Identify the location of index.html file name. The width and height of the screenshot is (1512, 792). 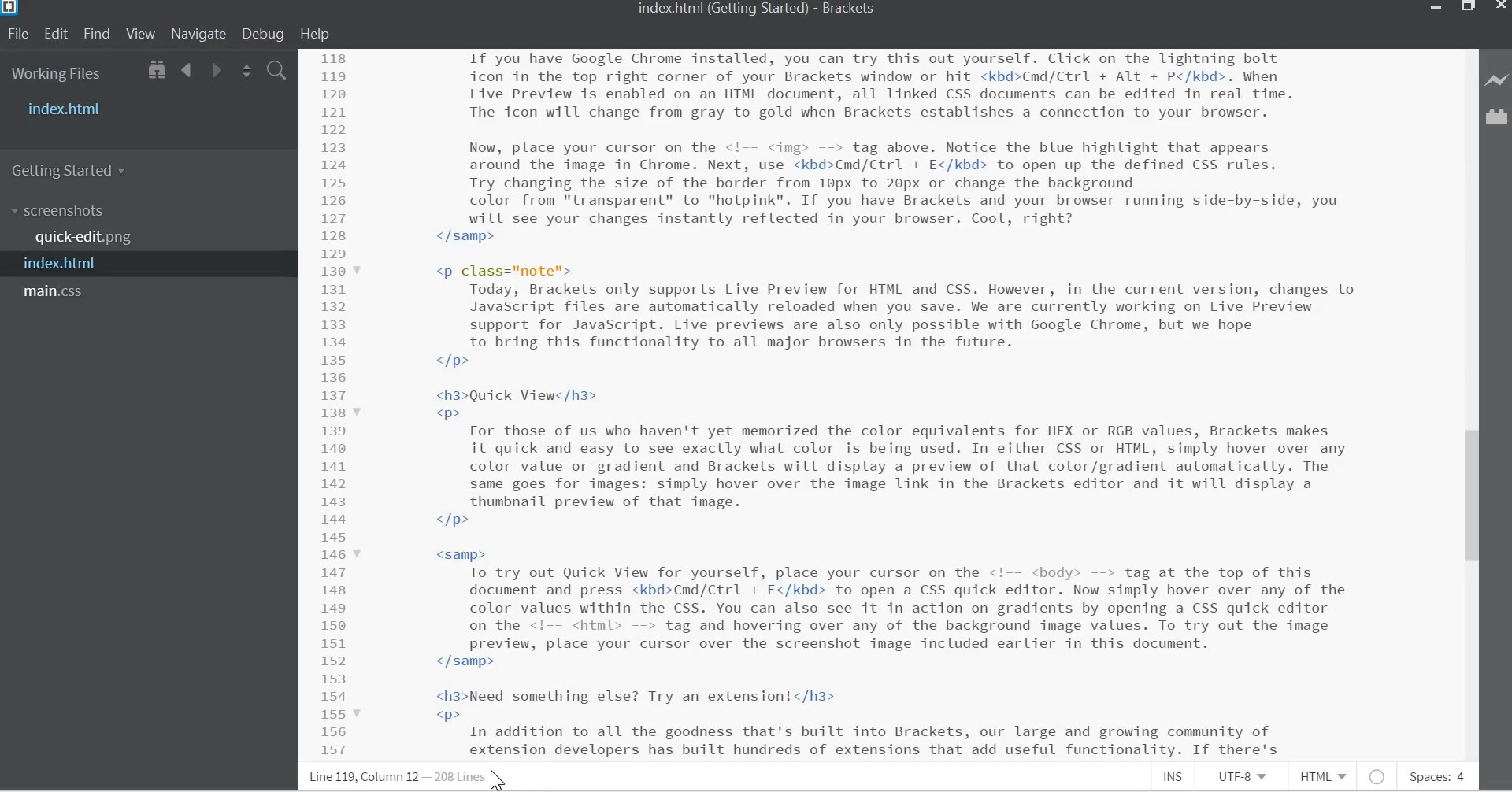
(717, 9).